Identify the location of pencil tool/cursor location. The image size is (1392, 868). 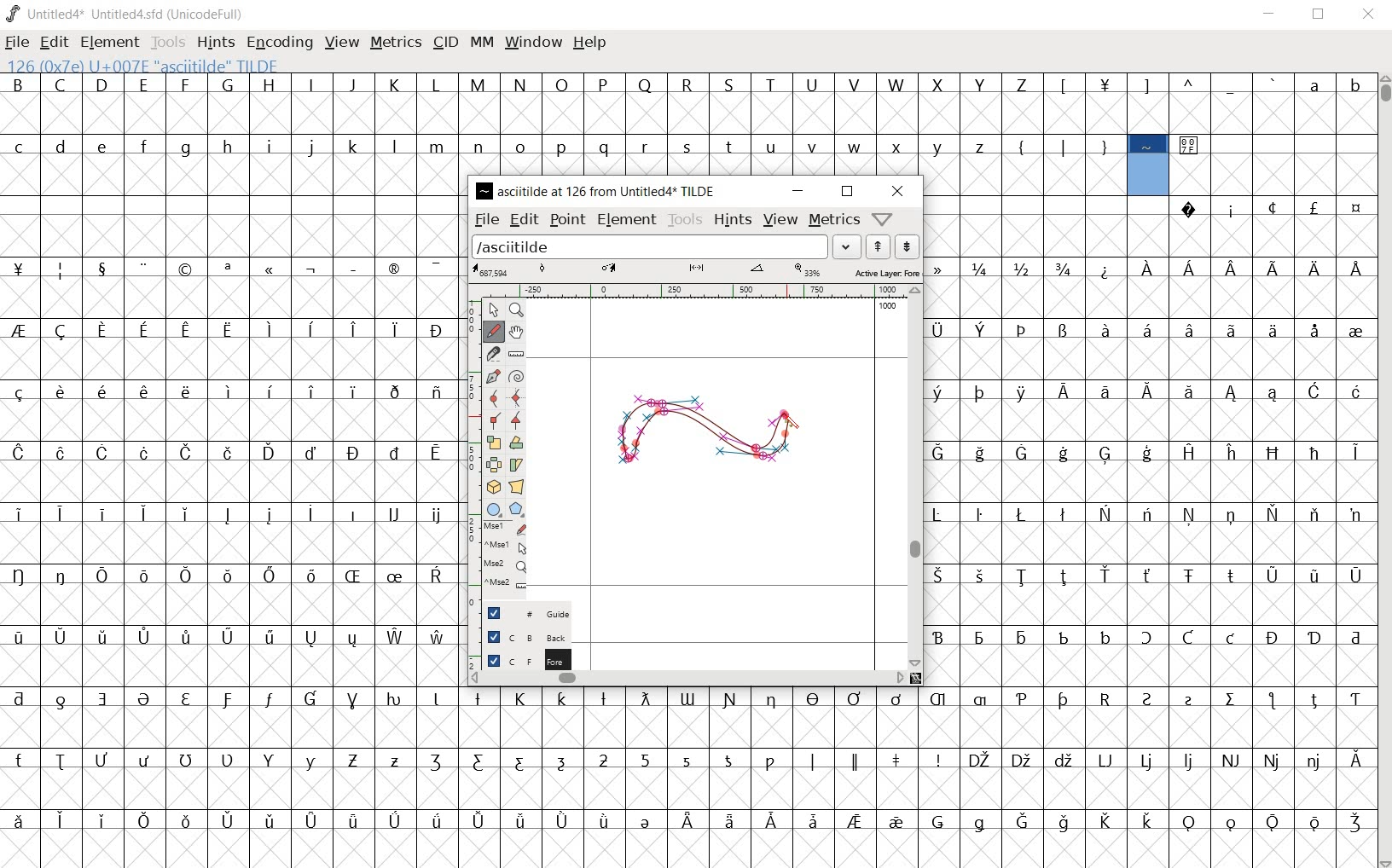
(793, 427).